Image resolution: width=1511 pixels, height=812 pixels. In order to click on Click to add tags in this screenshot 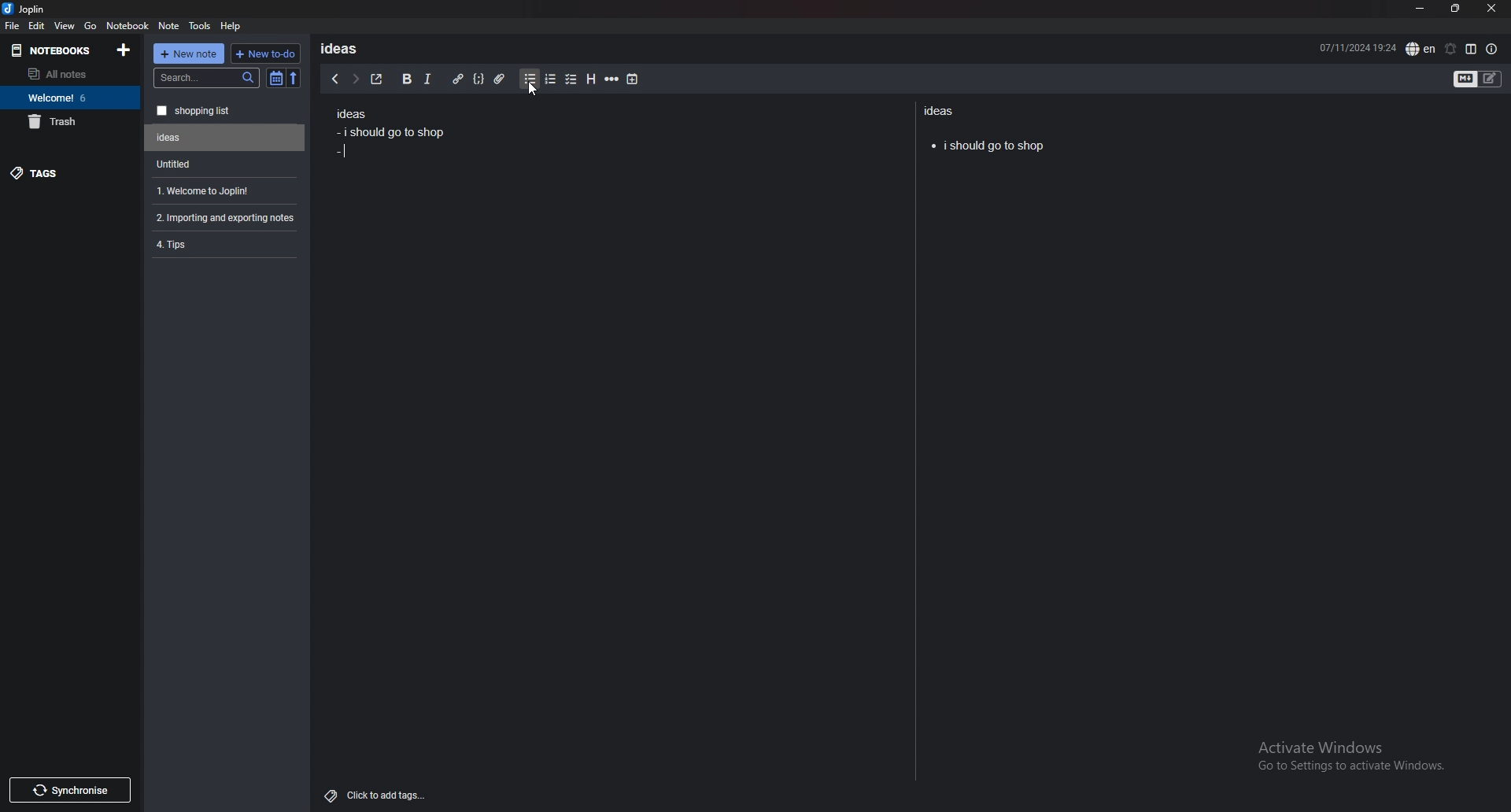, I will do `click(379, 792)`.